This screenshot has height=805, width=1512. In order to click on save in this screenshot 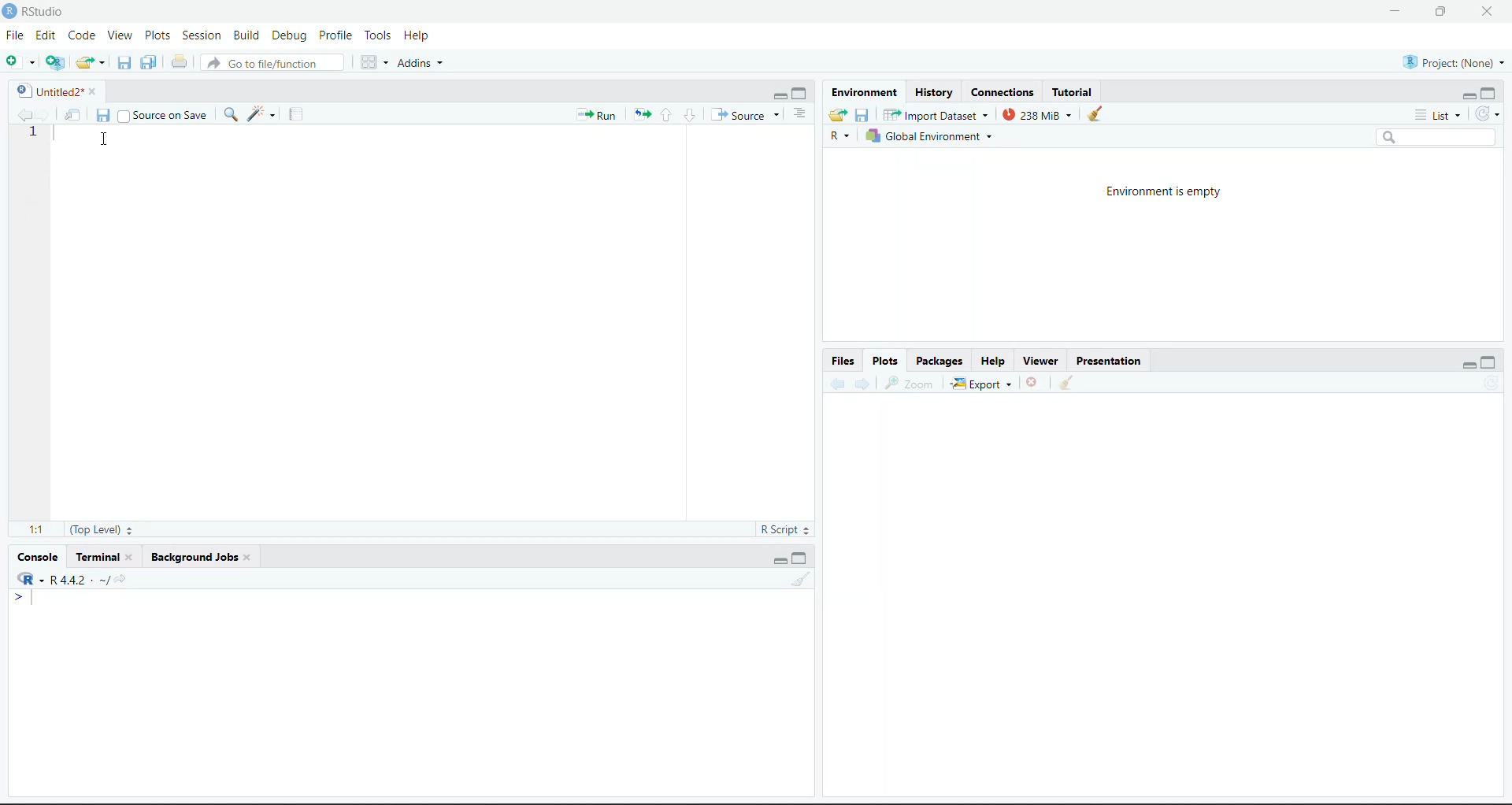, I will do `click(863, 116)`.